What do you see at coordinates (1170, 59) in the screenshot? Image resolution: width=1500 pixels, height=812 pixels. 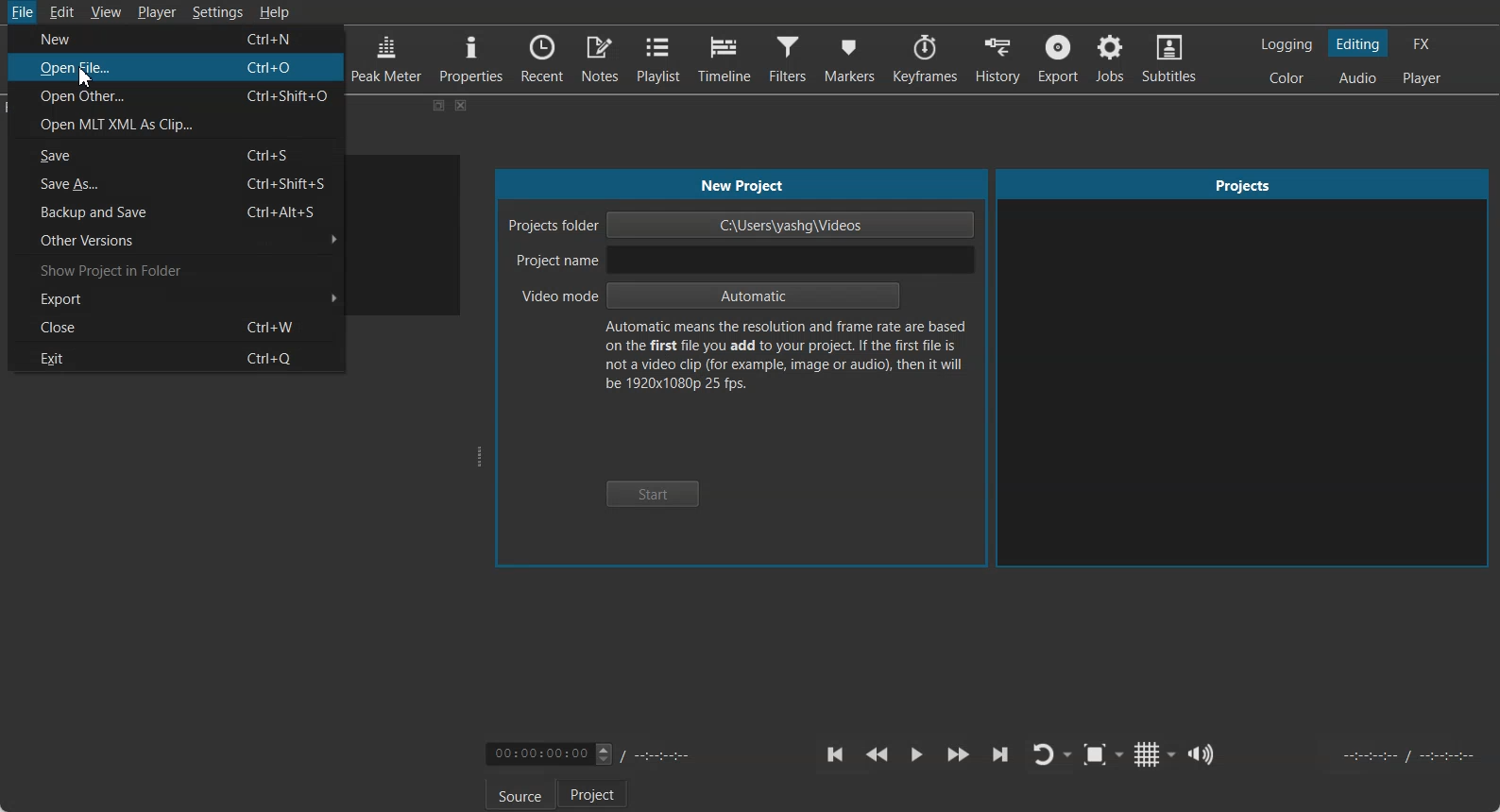 I see `Subtitles` at bounding box center [1170, 59].